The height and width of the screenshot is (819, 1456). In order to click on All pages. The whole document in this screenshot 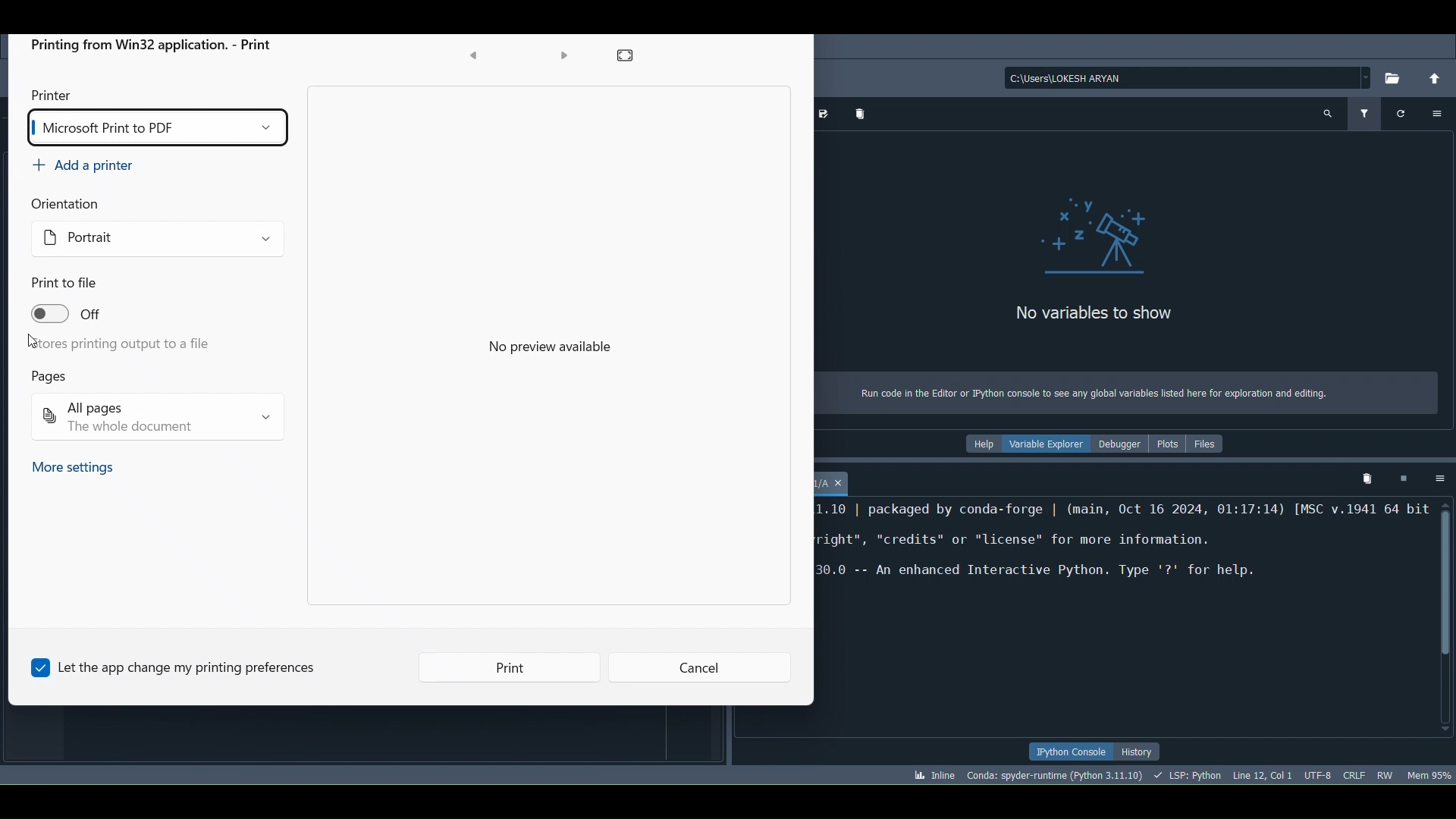, I will do `click(158, 421)`.